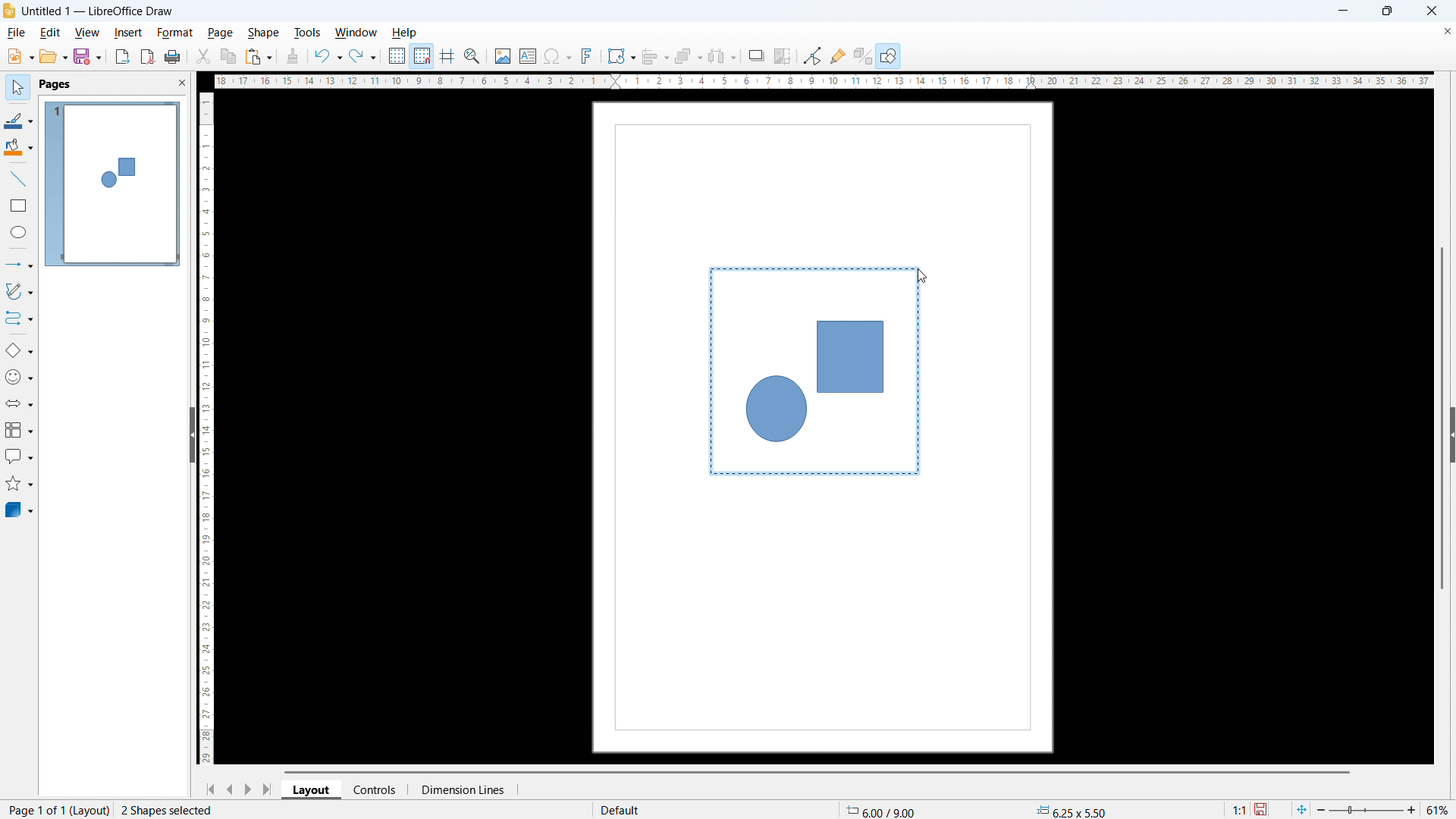  Describe the element at coordinates (167, 810) in the screenshot. I see `2 shapes selcted` at that location.